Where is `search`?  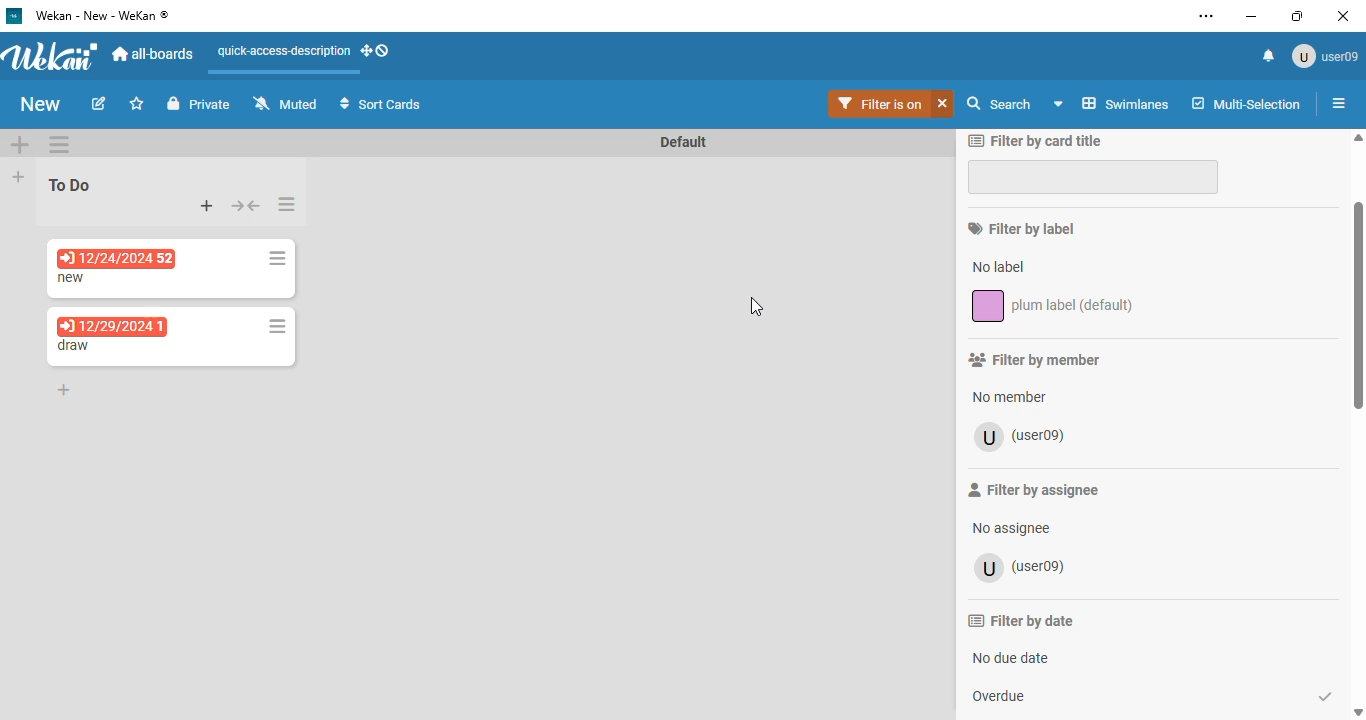 search is located at coordinates (999, 103).